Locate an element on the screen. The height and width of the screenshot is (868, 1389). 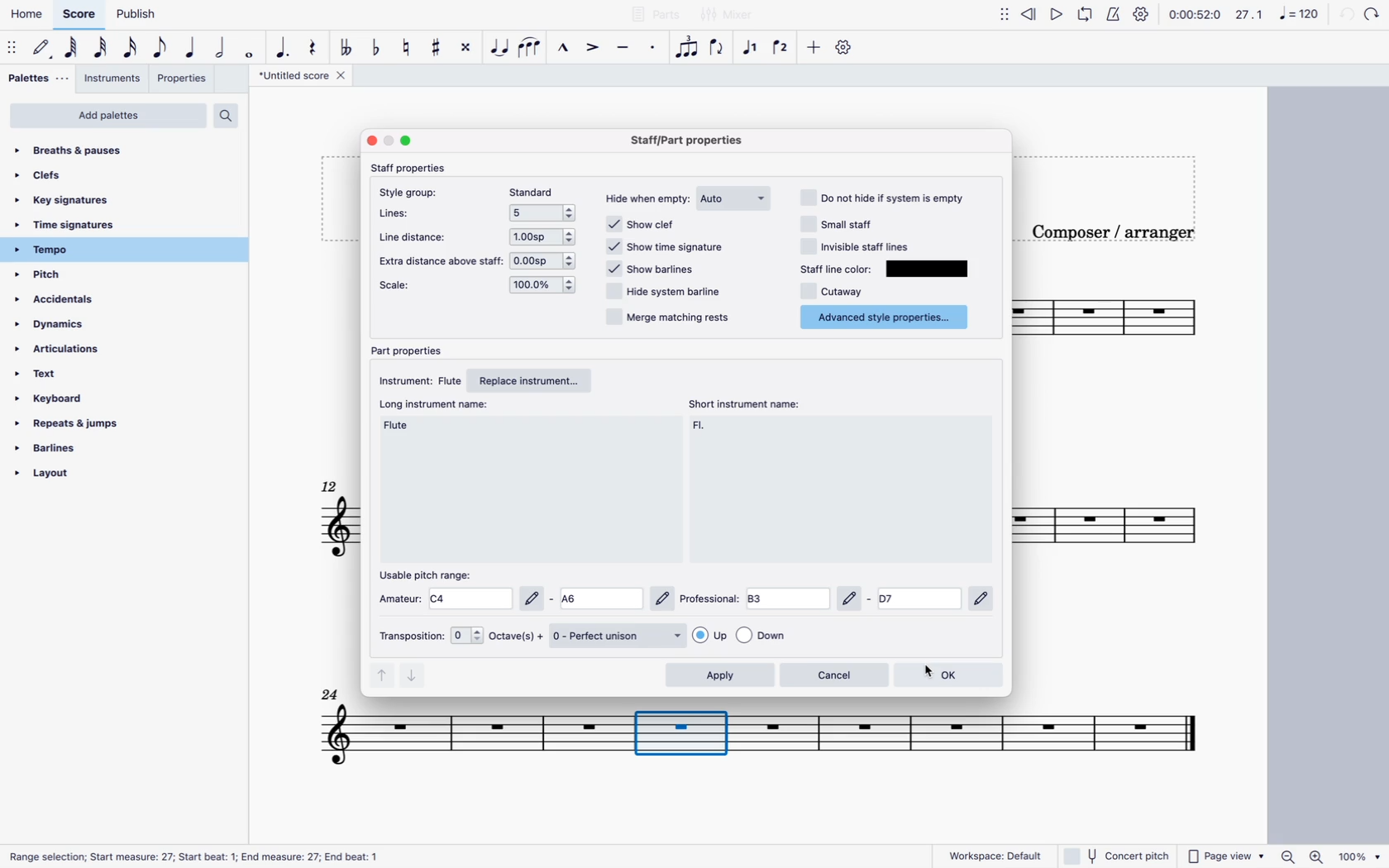
show clef is located at coordinates (647, 224).